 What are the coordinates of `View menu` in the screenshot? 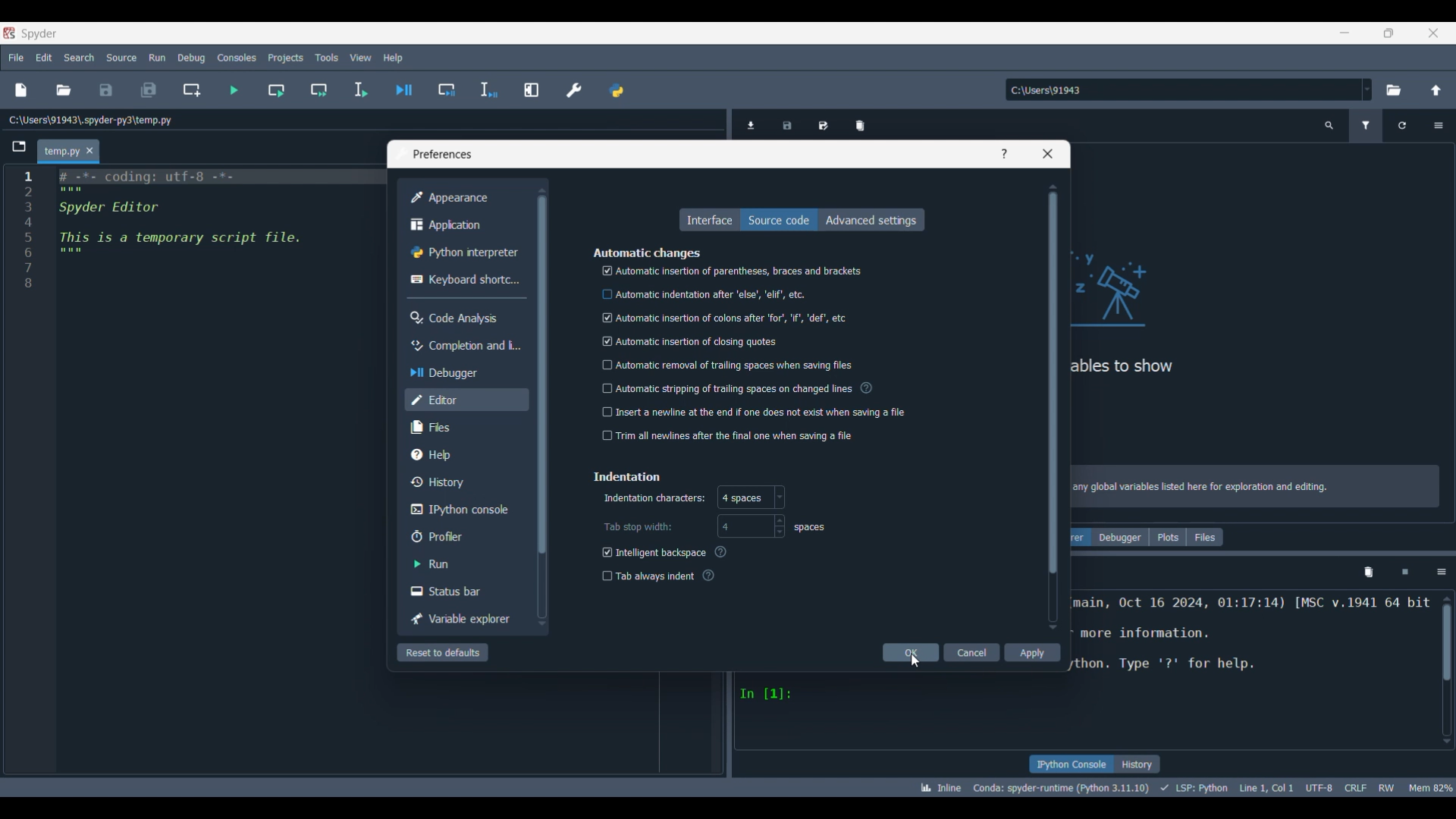 It's located at (362, 58).